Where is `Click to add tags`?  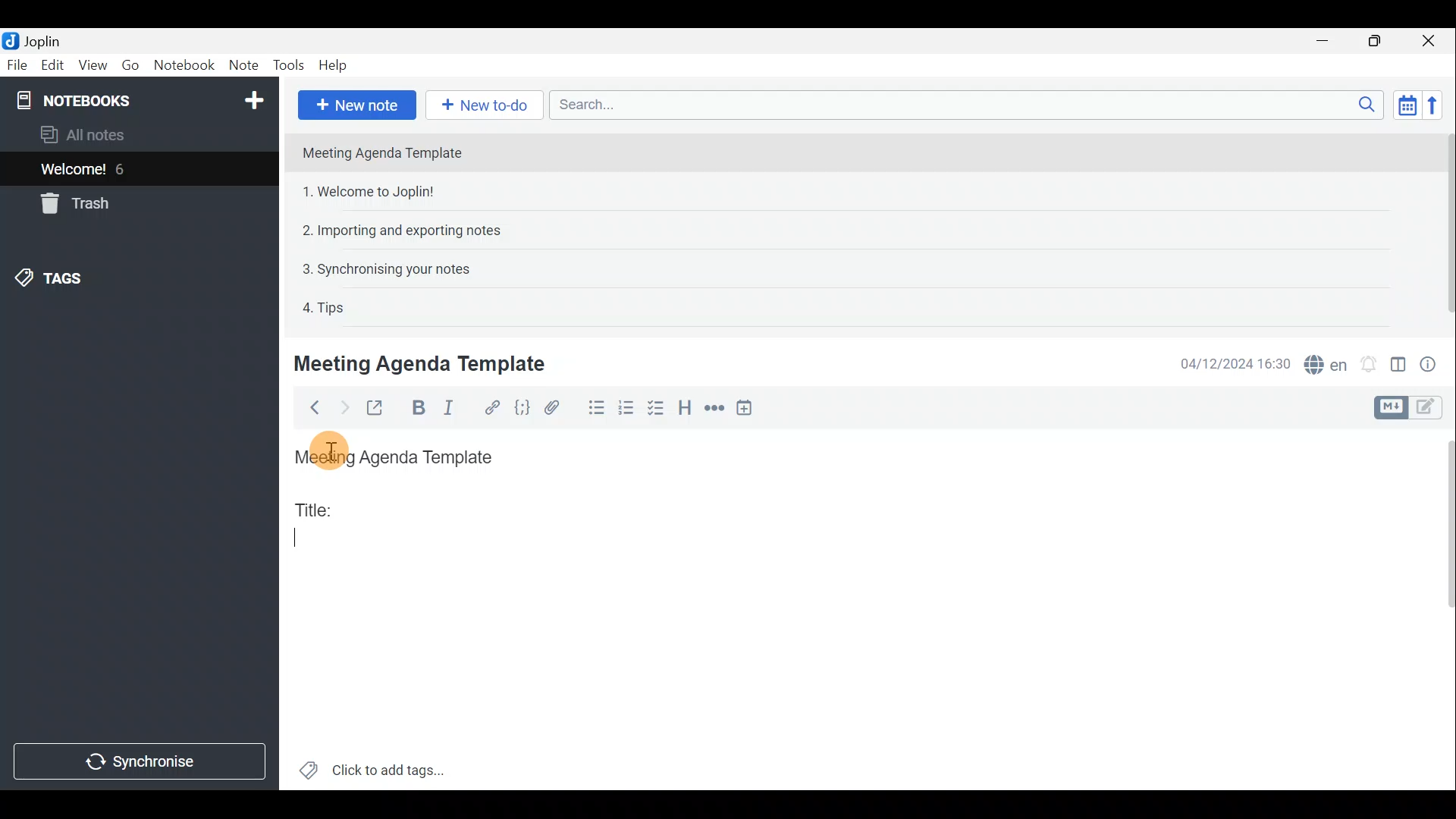
Click to add tags is located at coordinates (393, 767).